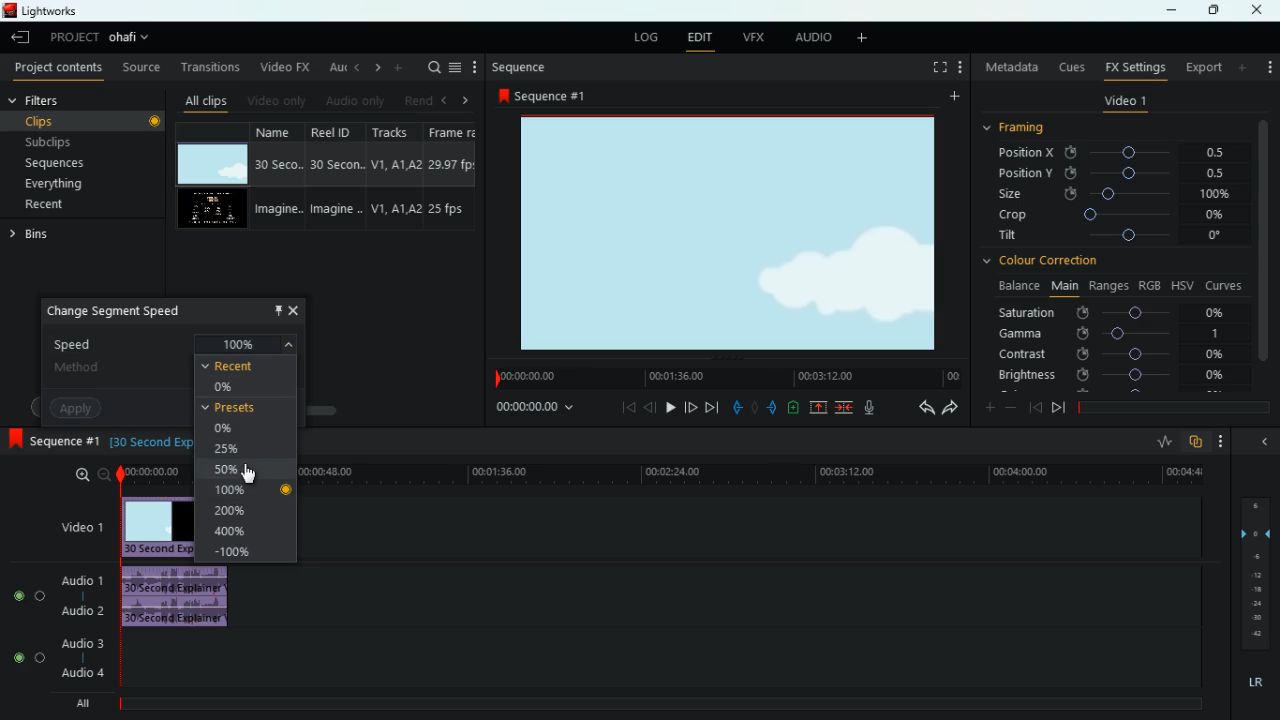 The height and width of the screenshot is (720, 1280). What do you see at coordinates (153, 525) in the screenshot?
I see `video` at bounding box center [153, 525].